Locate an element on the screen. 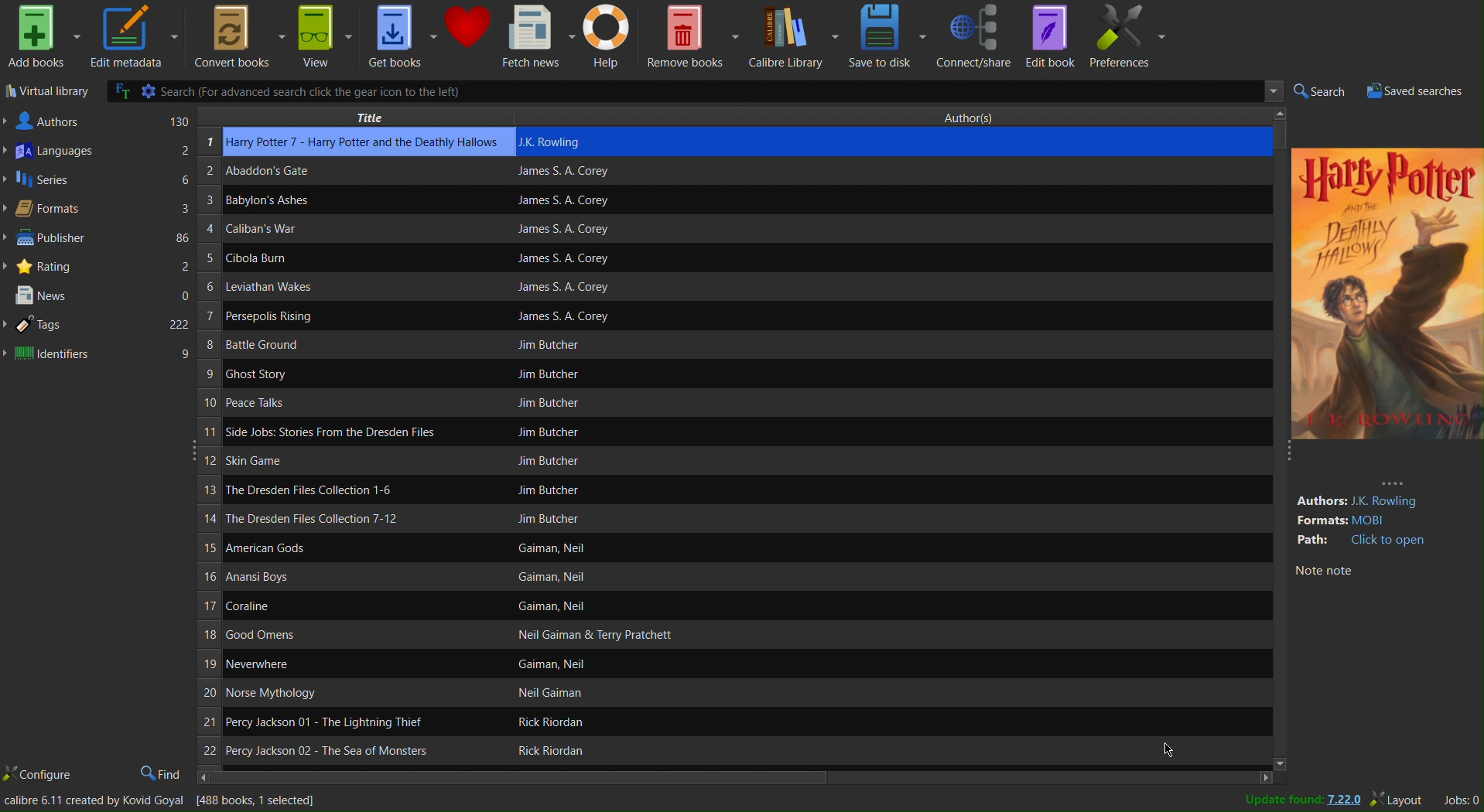 This screenshot has height=812, width=1484. Book name is located at coordinates (340, 401).